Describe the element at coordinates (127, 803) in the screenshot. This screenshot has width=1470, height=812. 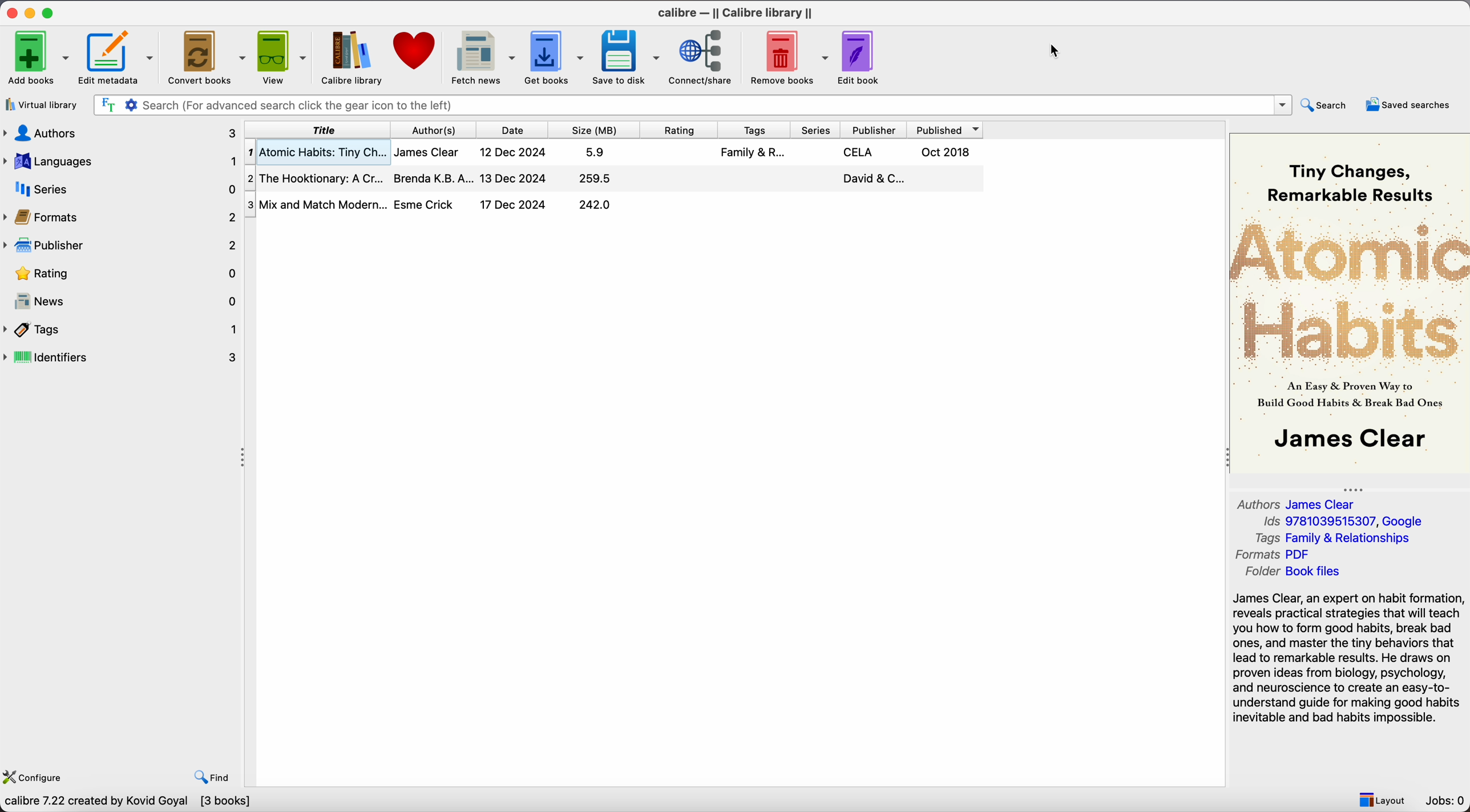
I see `clibre 7.22 created by kovid Goyal [3 books]` at that location.